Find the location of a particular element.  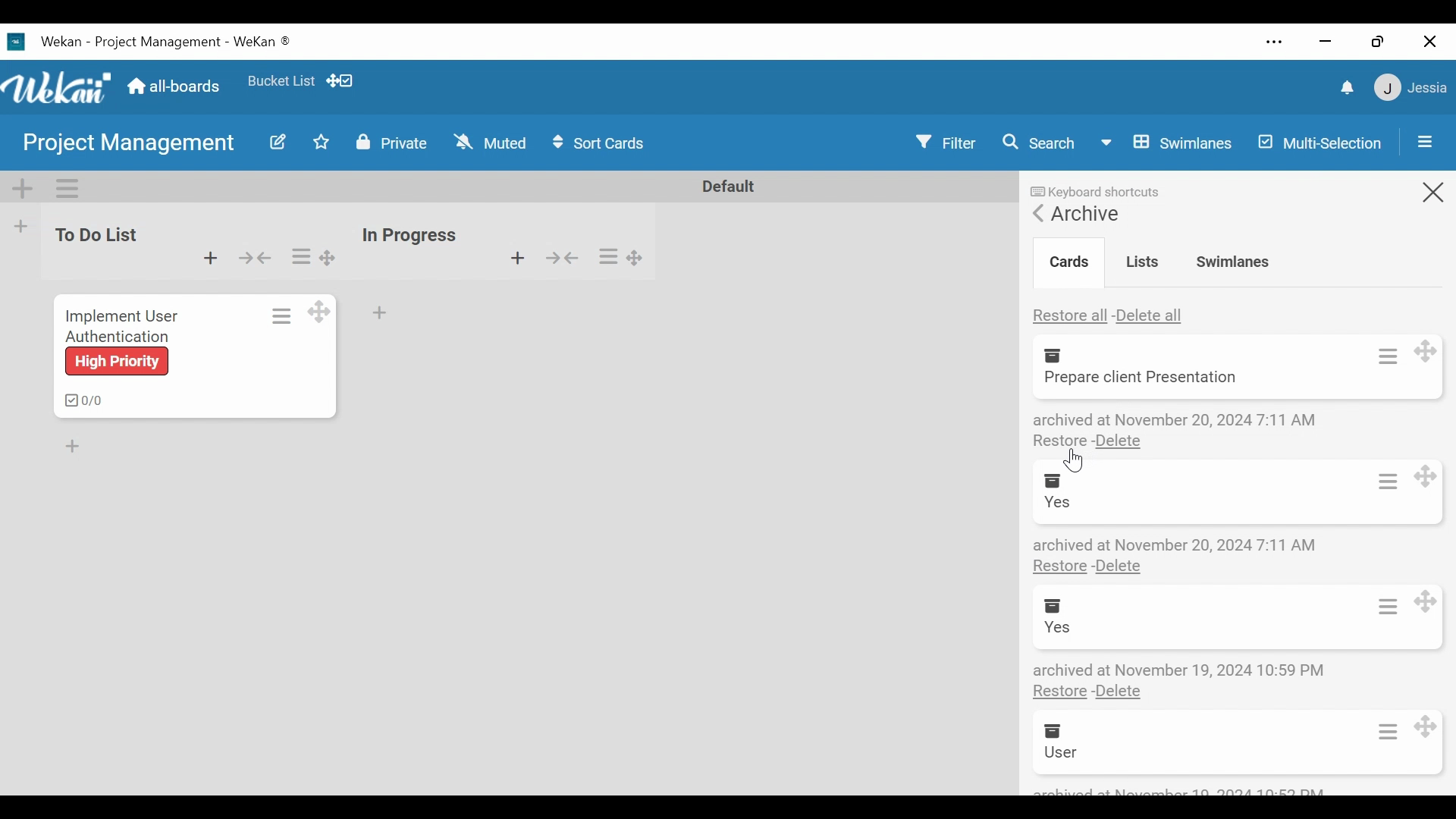

Search is located at coordinates (1038, 141).